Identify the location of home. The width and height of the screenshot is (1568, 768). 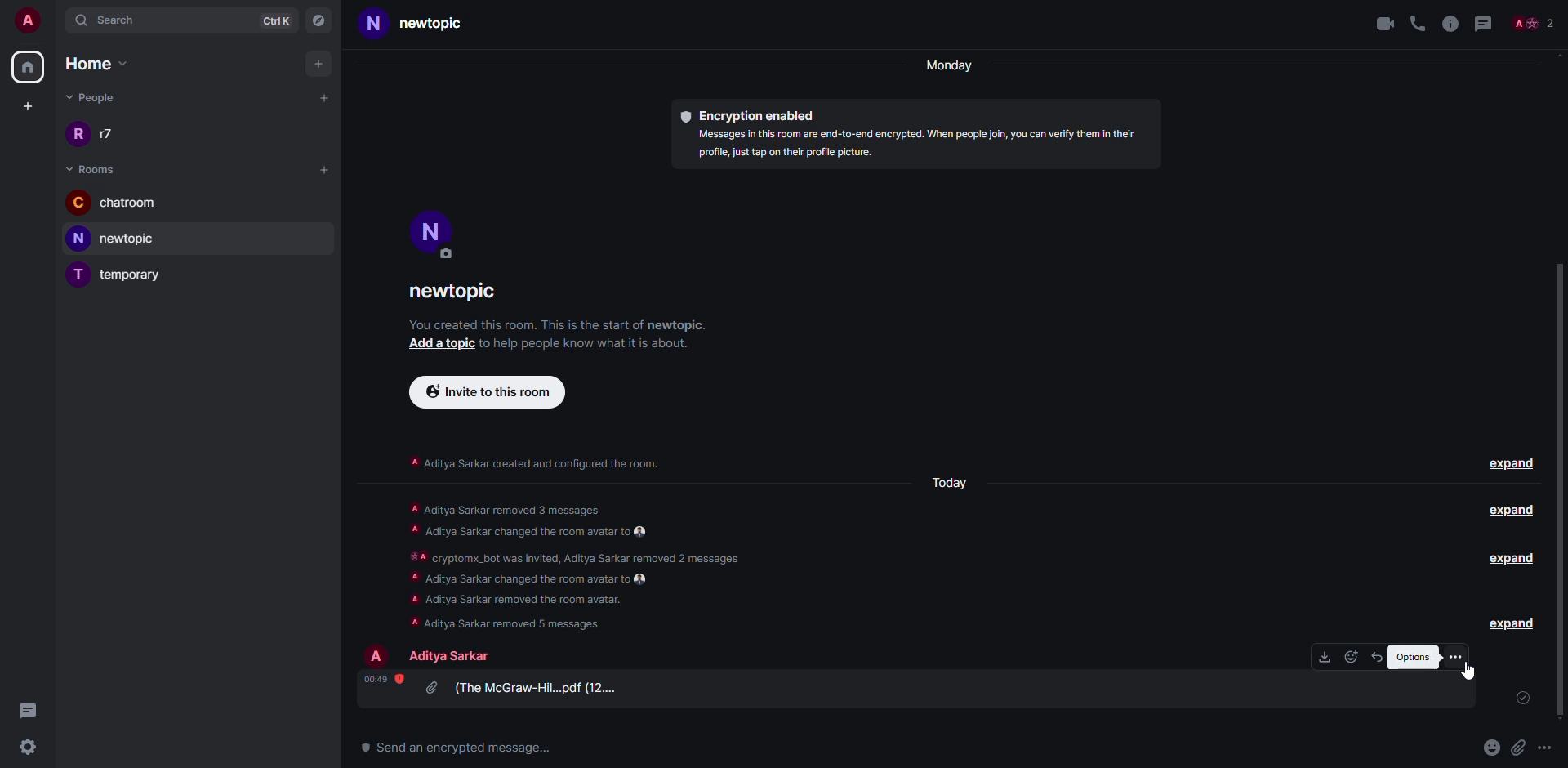
(105, 65).